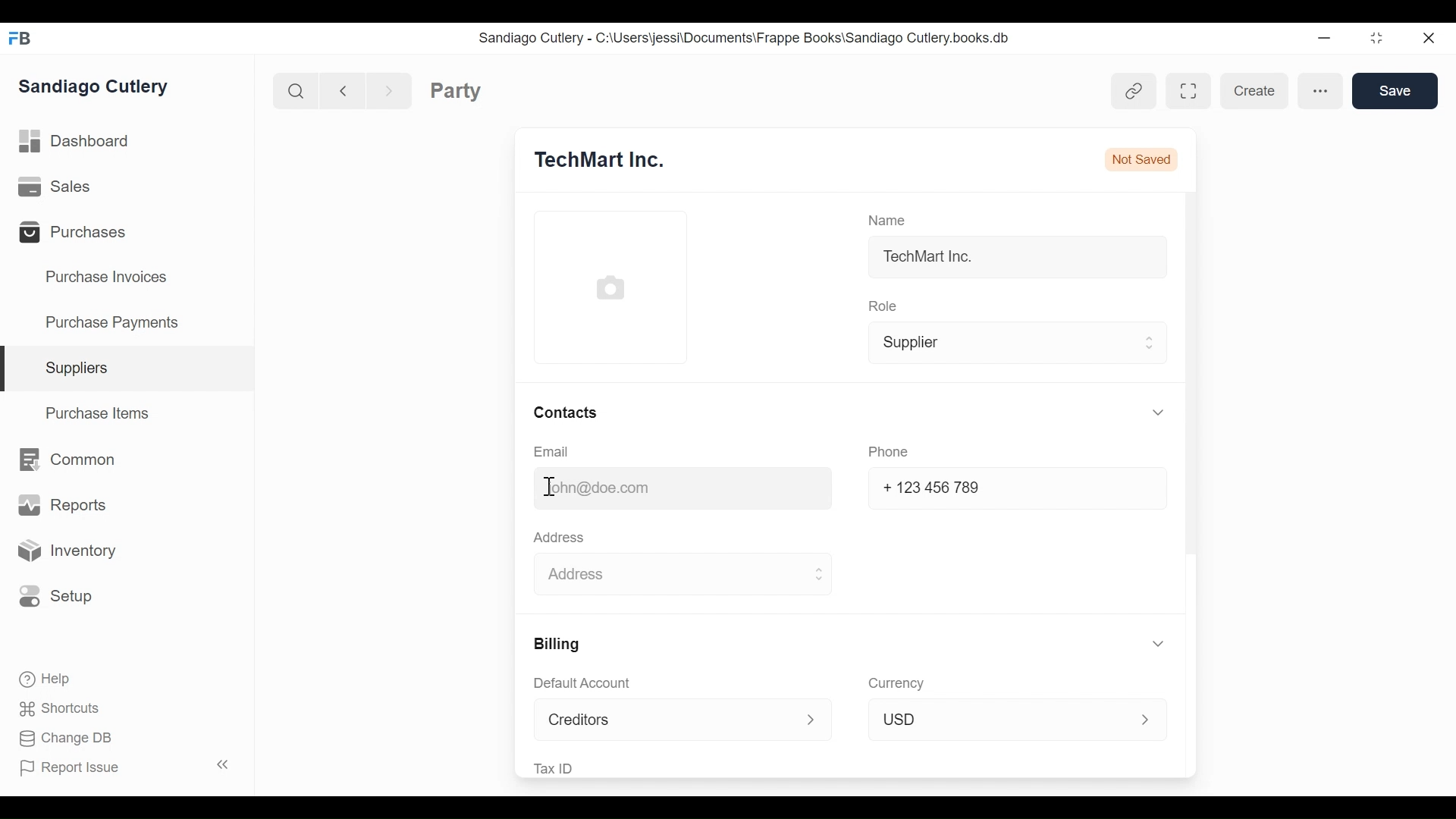  Describe the element at coordinates (347, 89) in the screenshot. I see `back` at that location.